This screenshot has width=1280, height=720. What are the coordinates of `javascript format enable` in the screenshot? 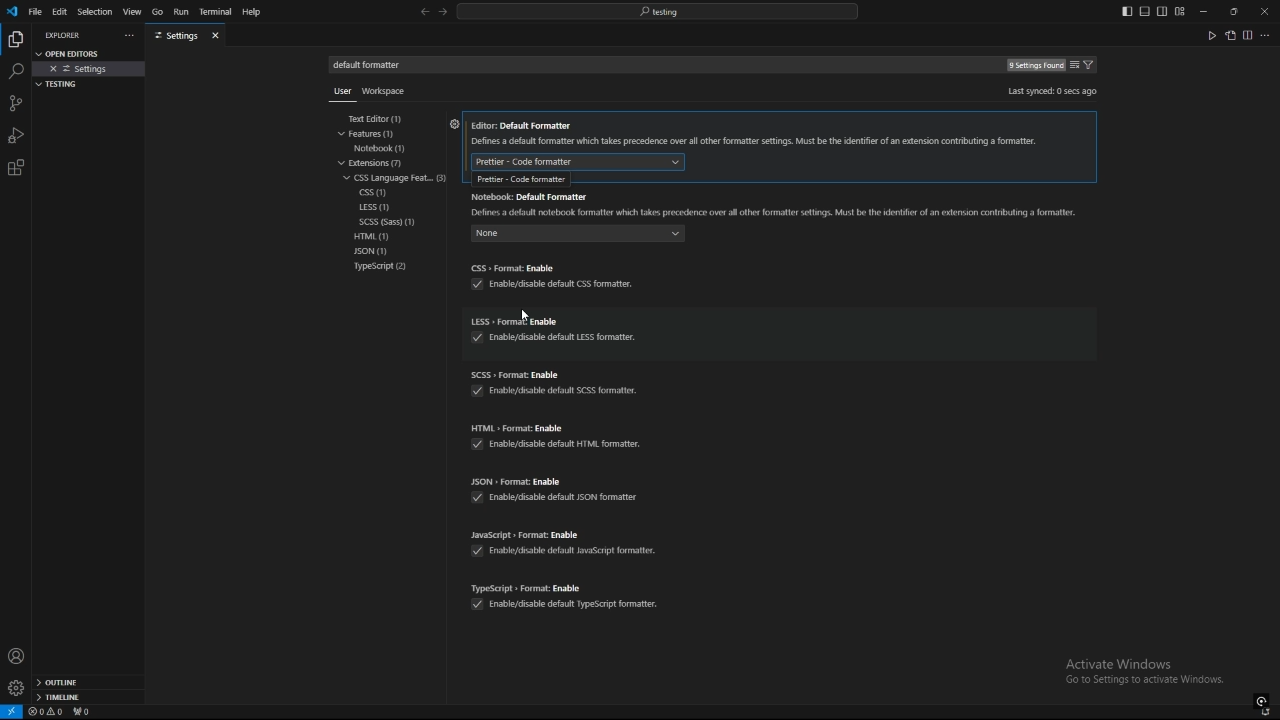 It's located at (565, 533).